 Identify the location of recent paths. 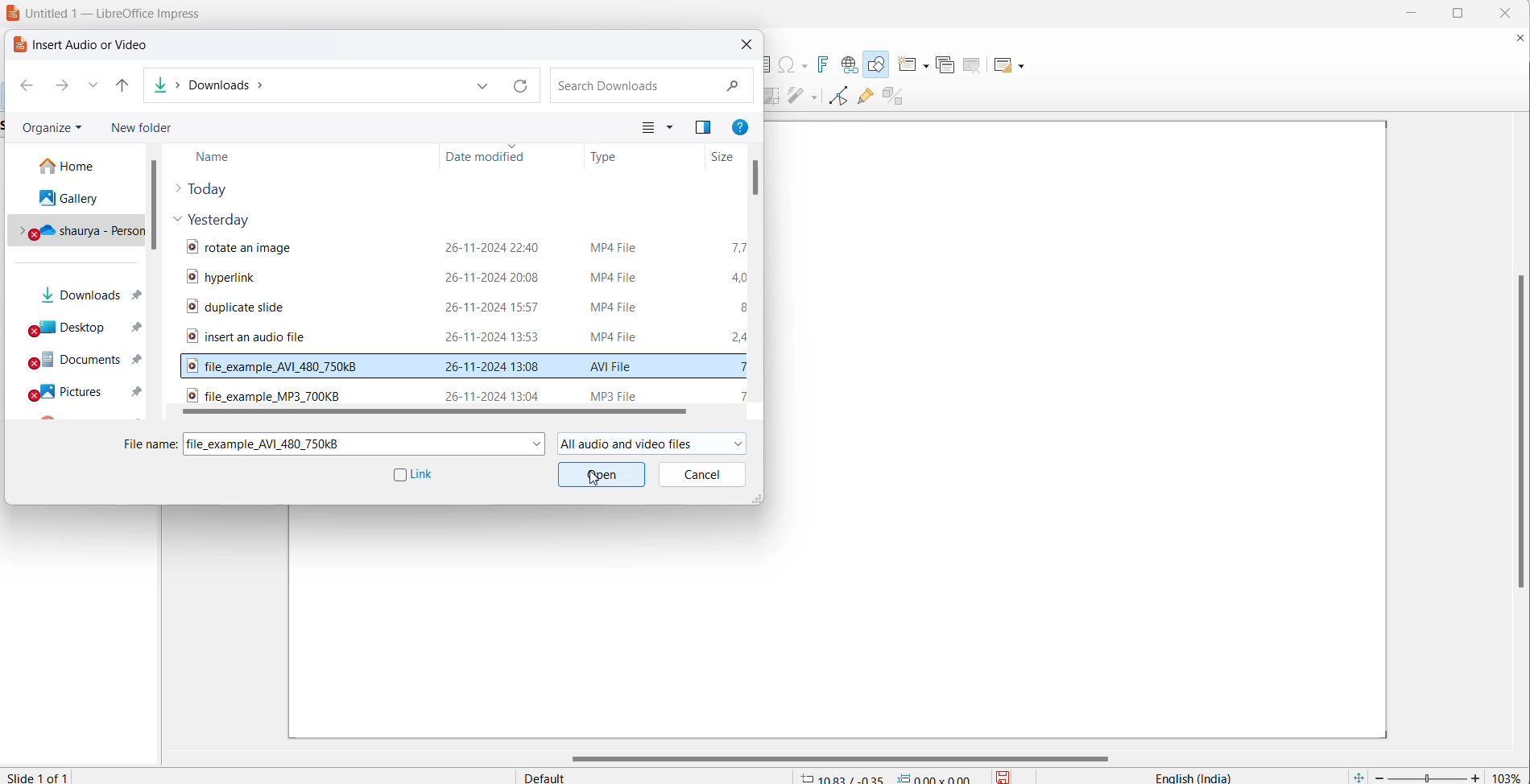
(96, 84).